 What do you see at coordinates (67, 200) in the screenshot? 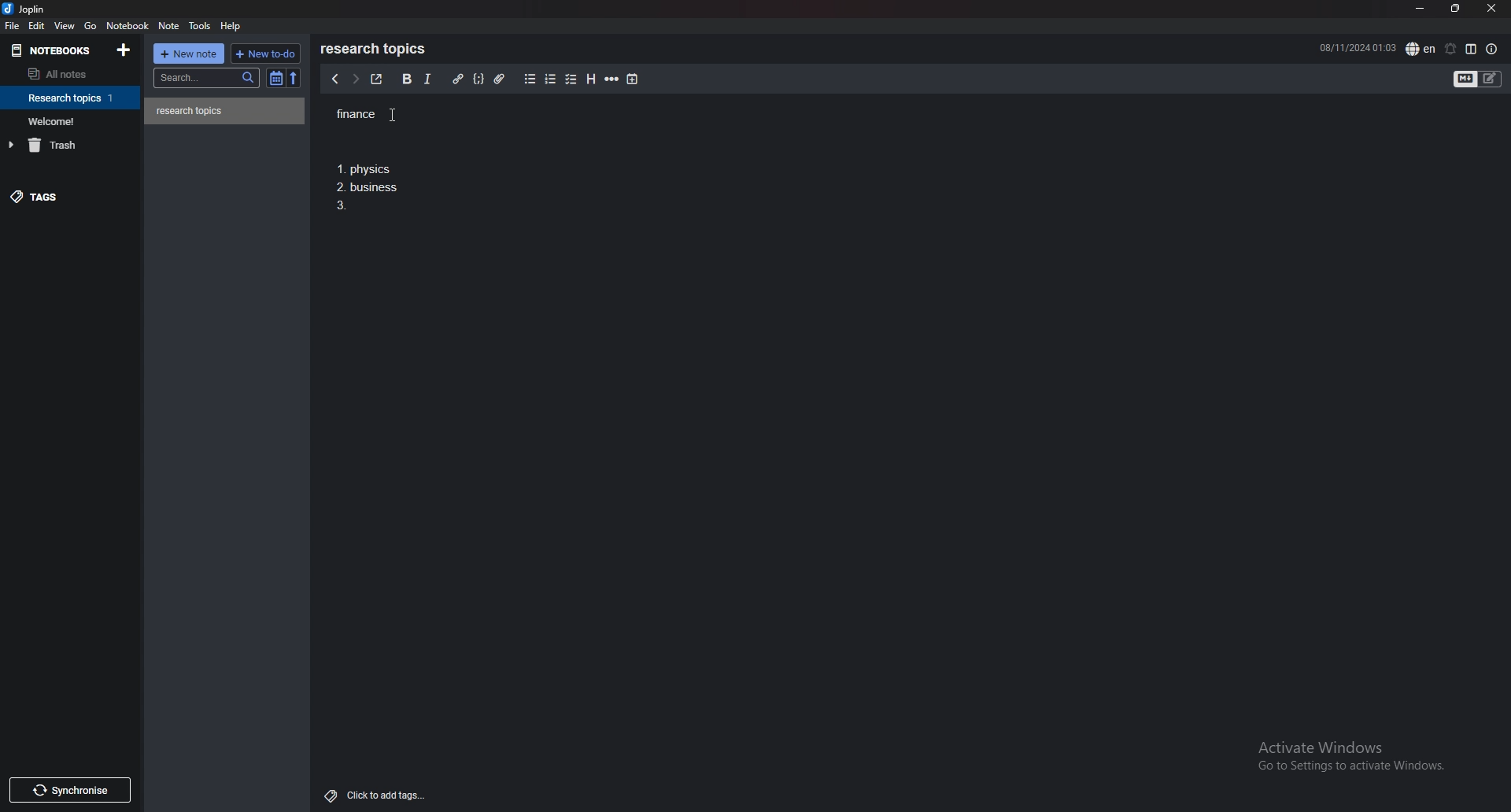
I see `tags` at bounding box center [67, 200].